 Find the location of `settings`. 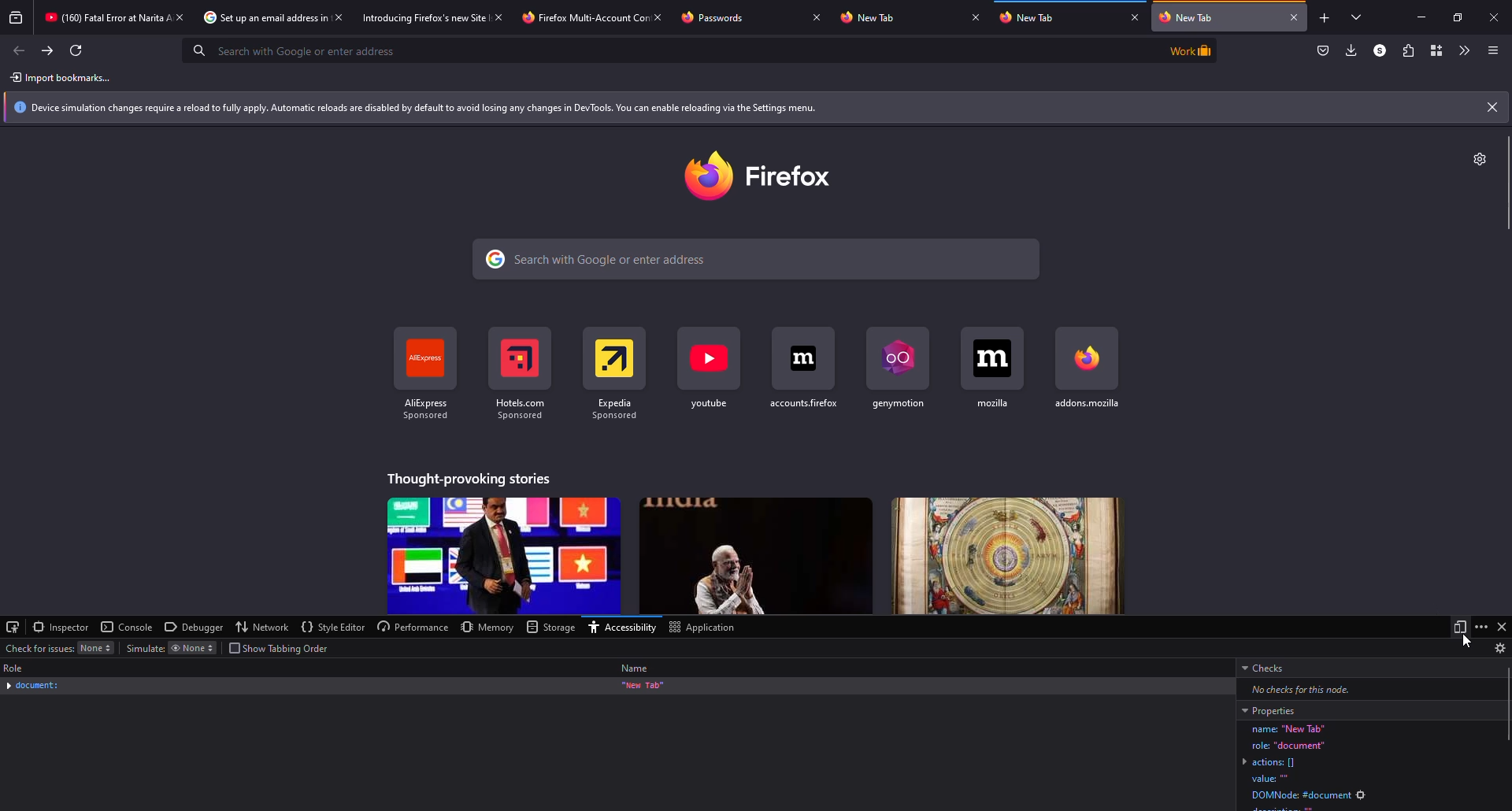

settings is located at coordinates (1500, 648).